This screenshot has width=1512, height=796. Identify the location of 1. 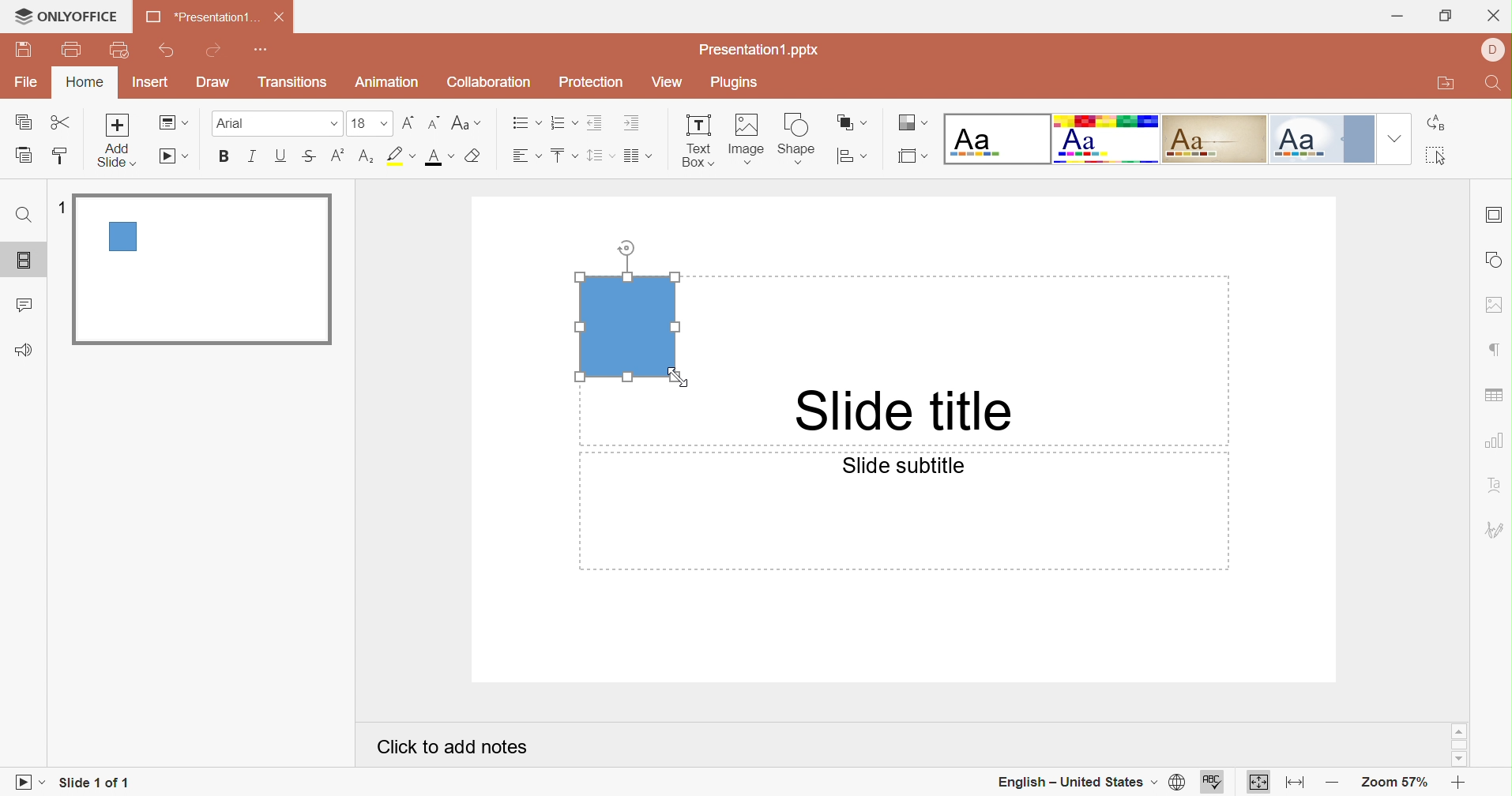
(64, 210).